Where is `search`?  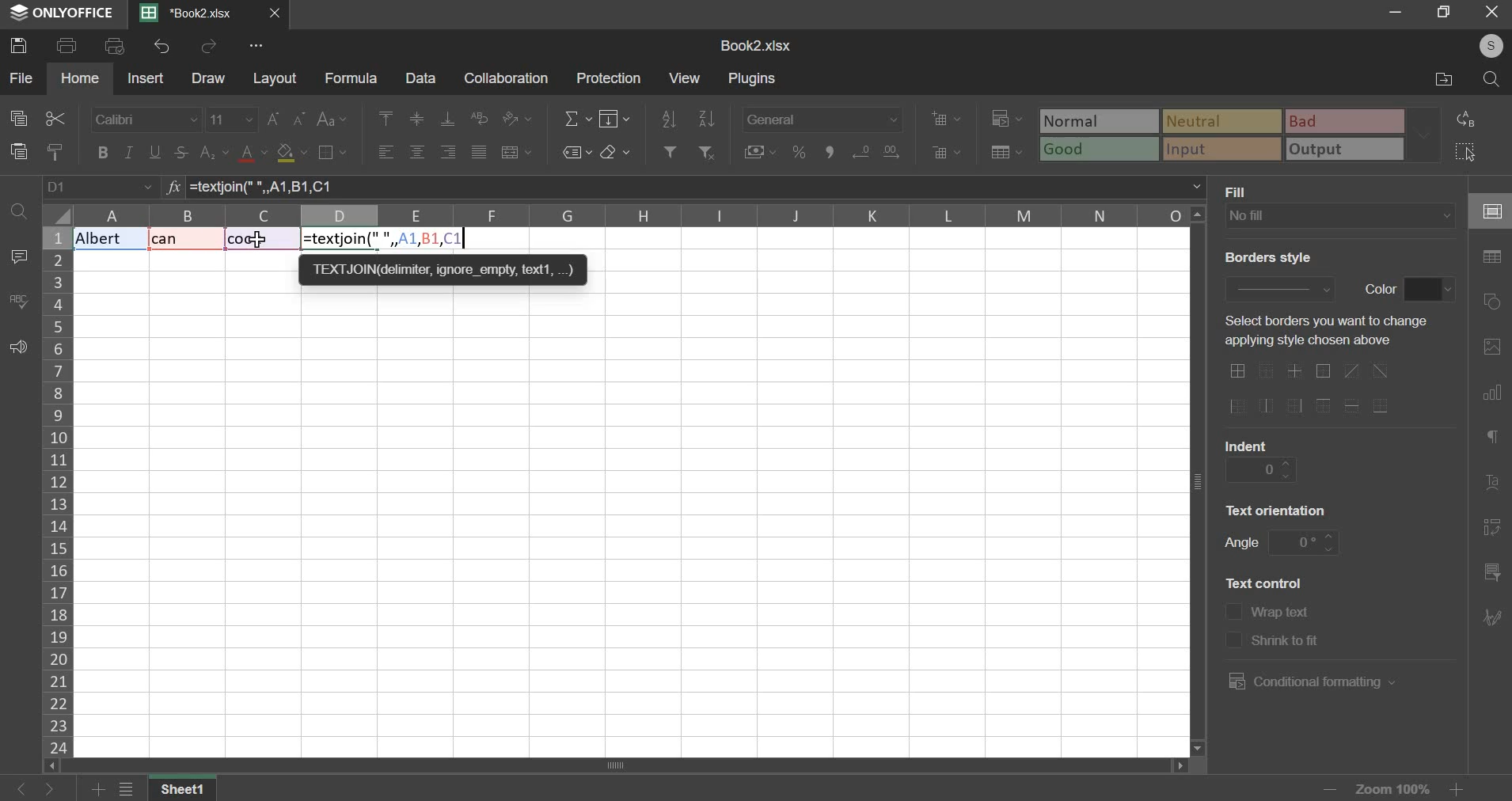 search is located at coordinates (1494, 79).